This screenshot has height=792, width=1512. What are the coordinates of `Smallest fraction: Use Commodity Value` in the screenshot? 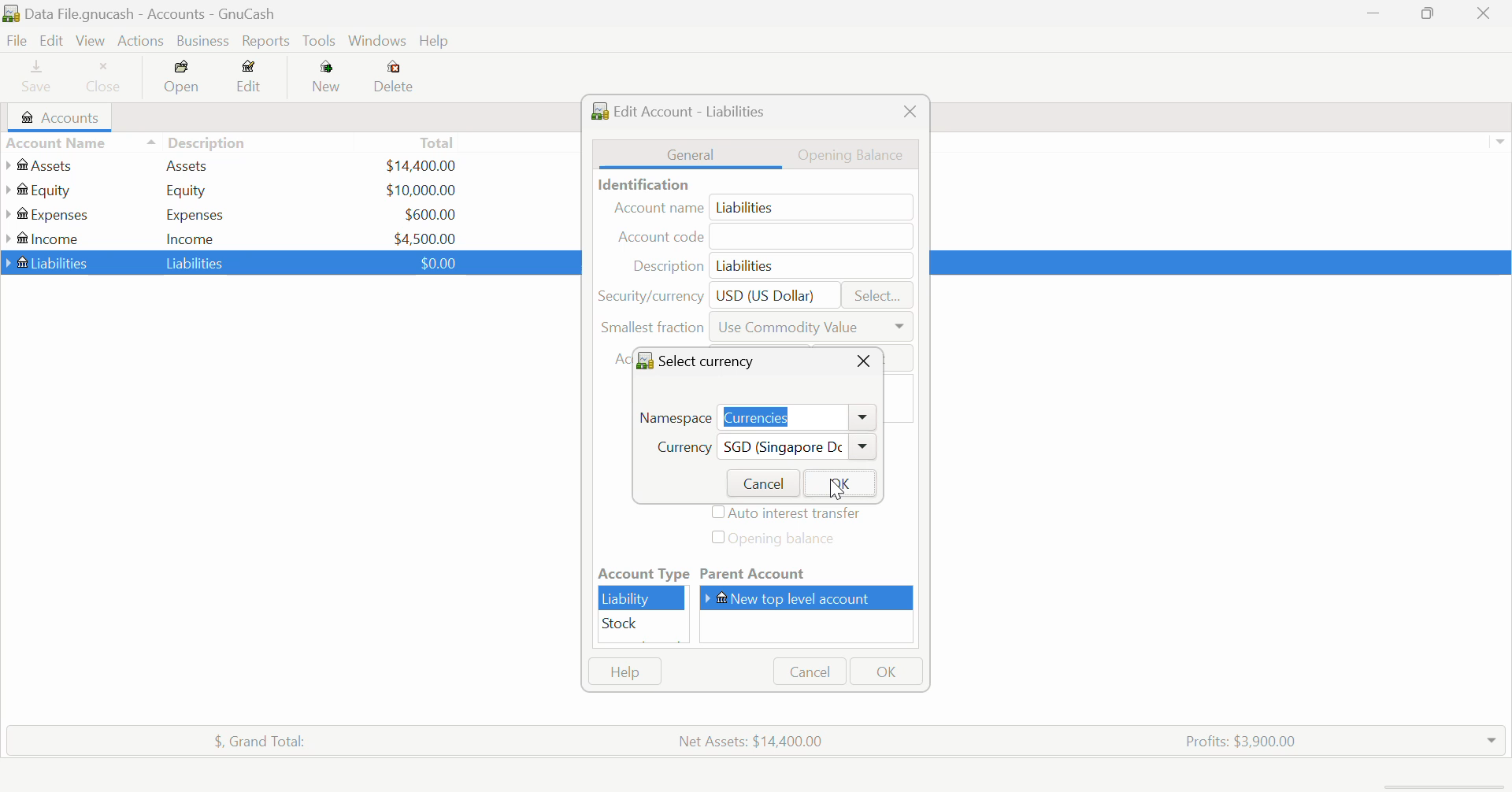 It's located at (757, 331).